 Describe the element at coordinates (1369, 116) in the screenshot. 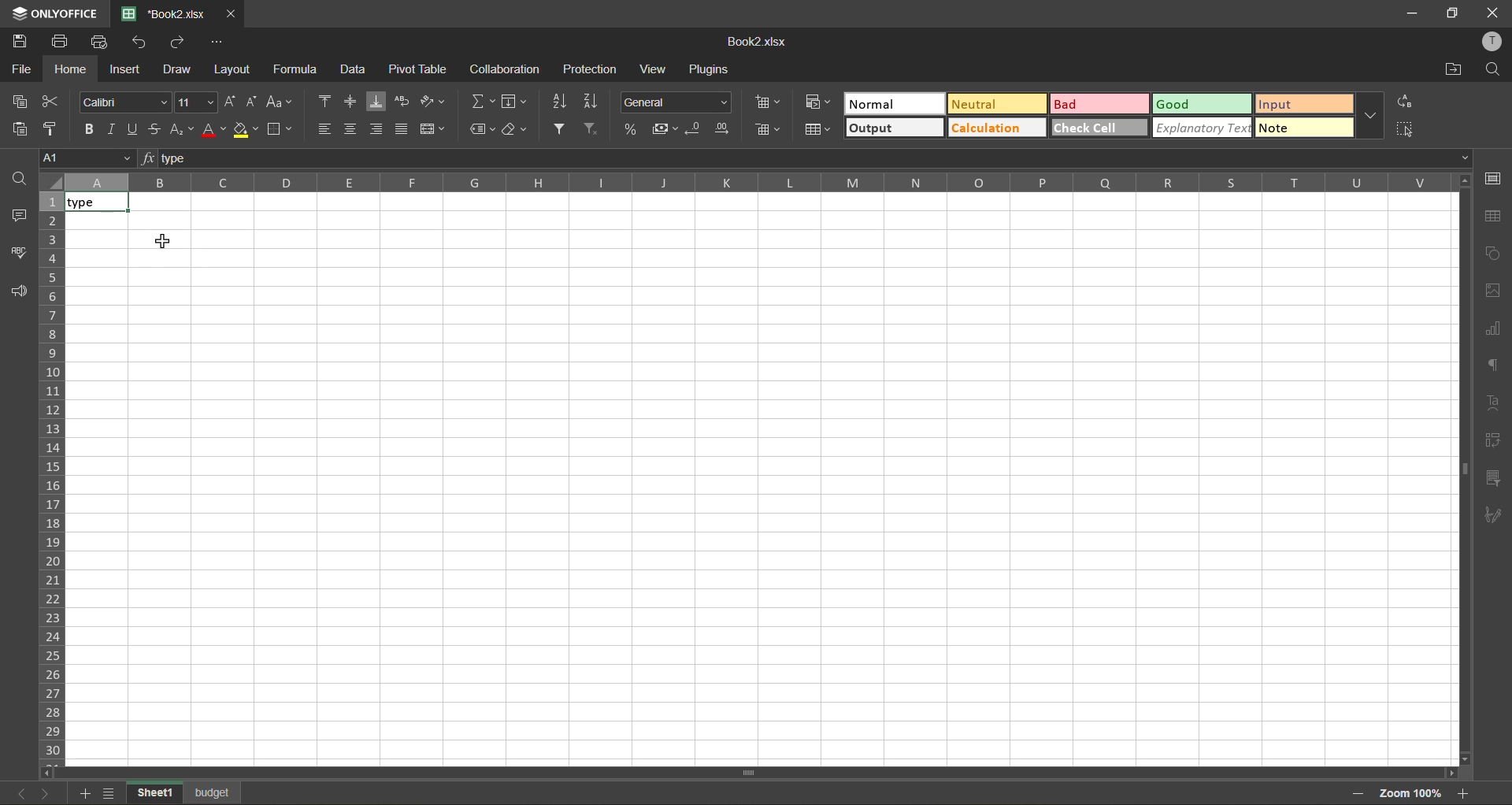

I see `more options` at that location.